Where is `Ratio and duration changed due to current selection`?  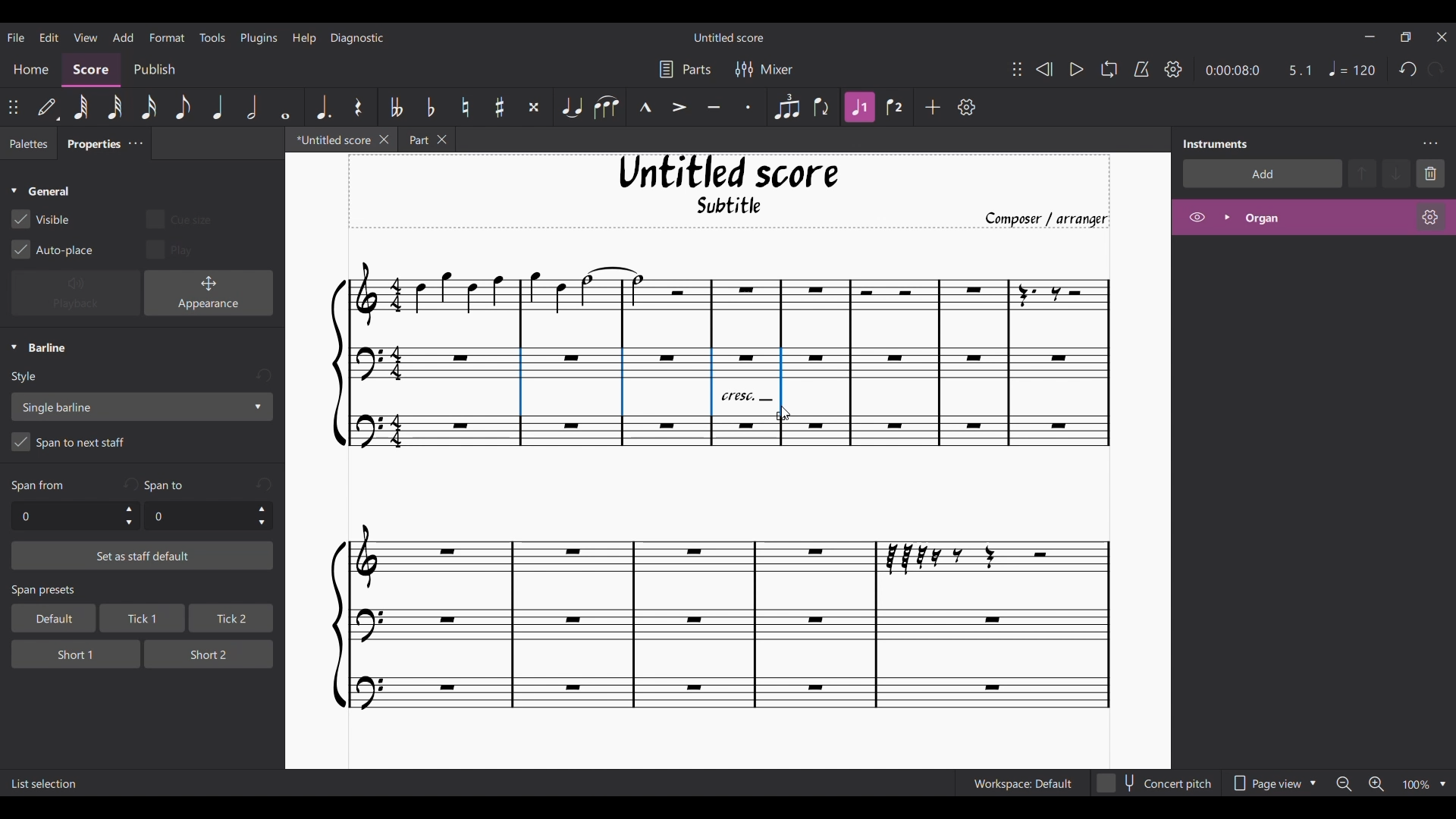
Ratio and duration changed due to current selection is located at coordinates (1259, 70).